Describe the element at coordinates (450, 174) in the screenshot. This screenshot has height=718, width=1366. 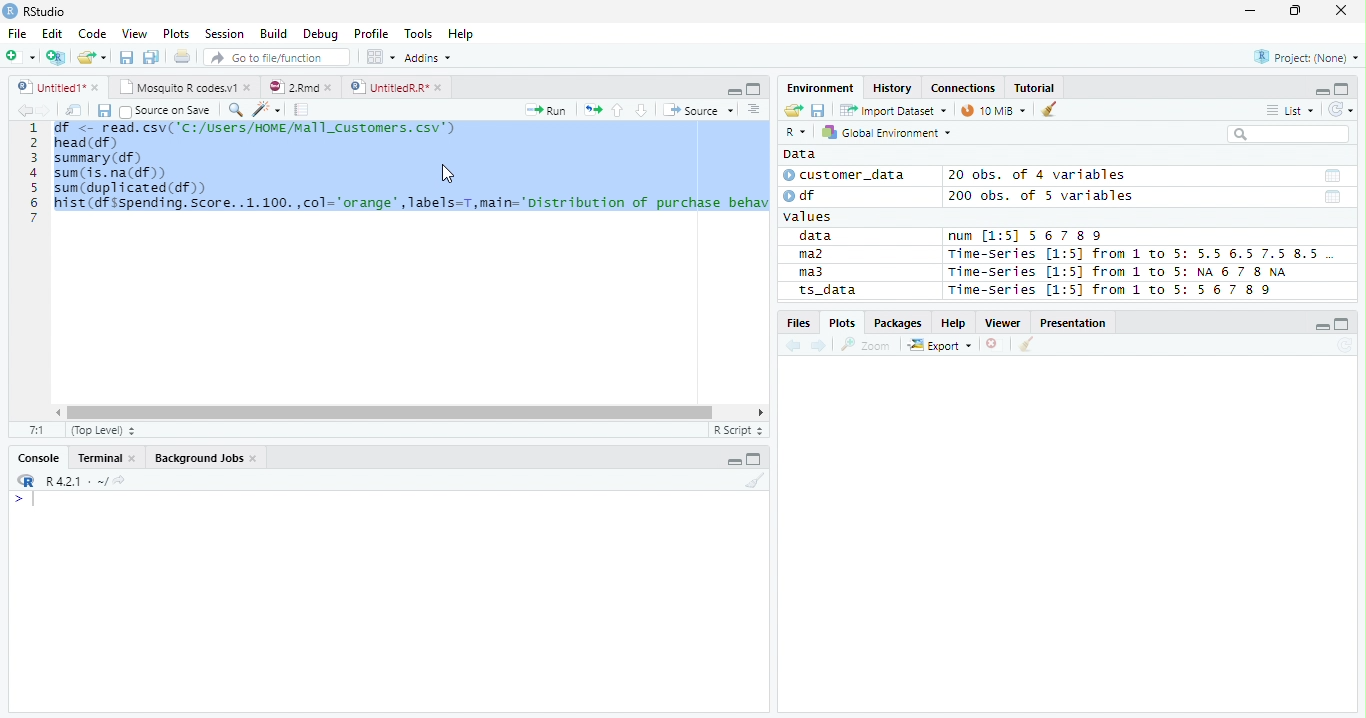
I see `Cursor` at that location.